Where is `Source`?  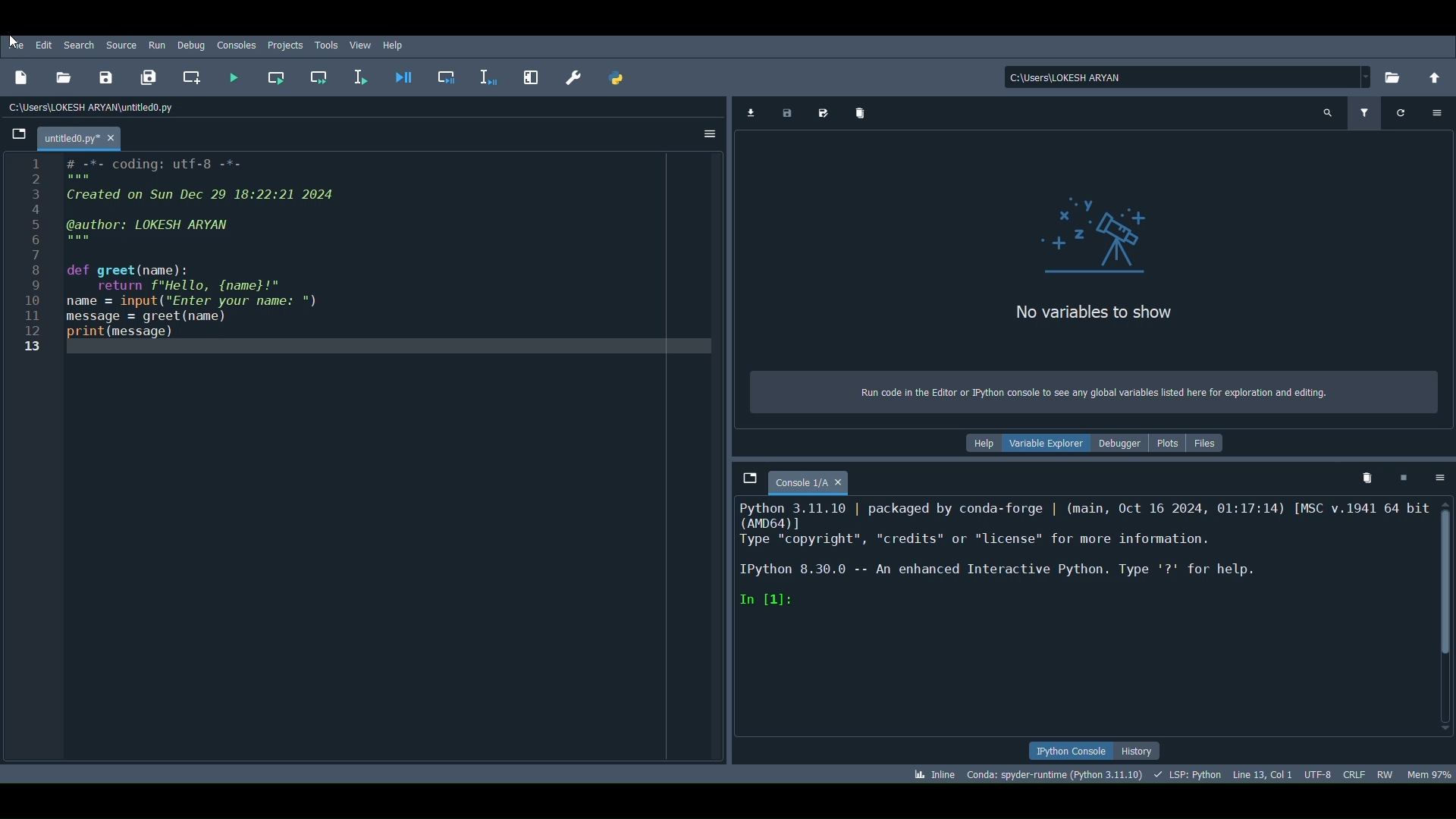
Source is located at coordinates (121, 45).